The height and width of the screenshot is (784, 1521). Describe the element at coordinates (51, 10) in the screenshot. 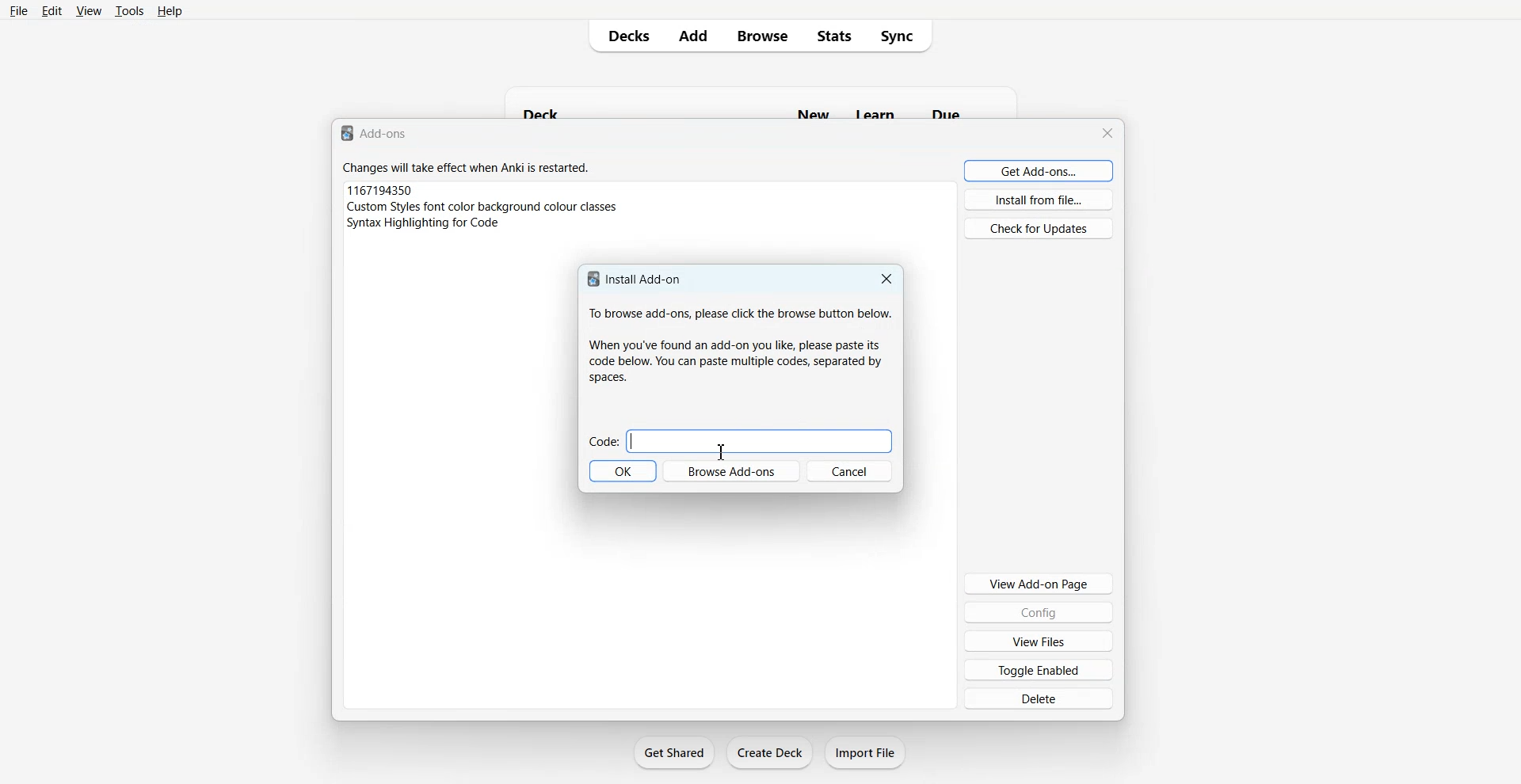

I see `Edit` at that location.